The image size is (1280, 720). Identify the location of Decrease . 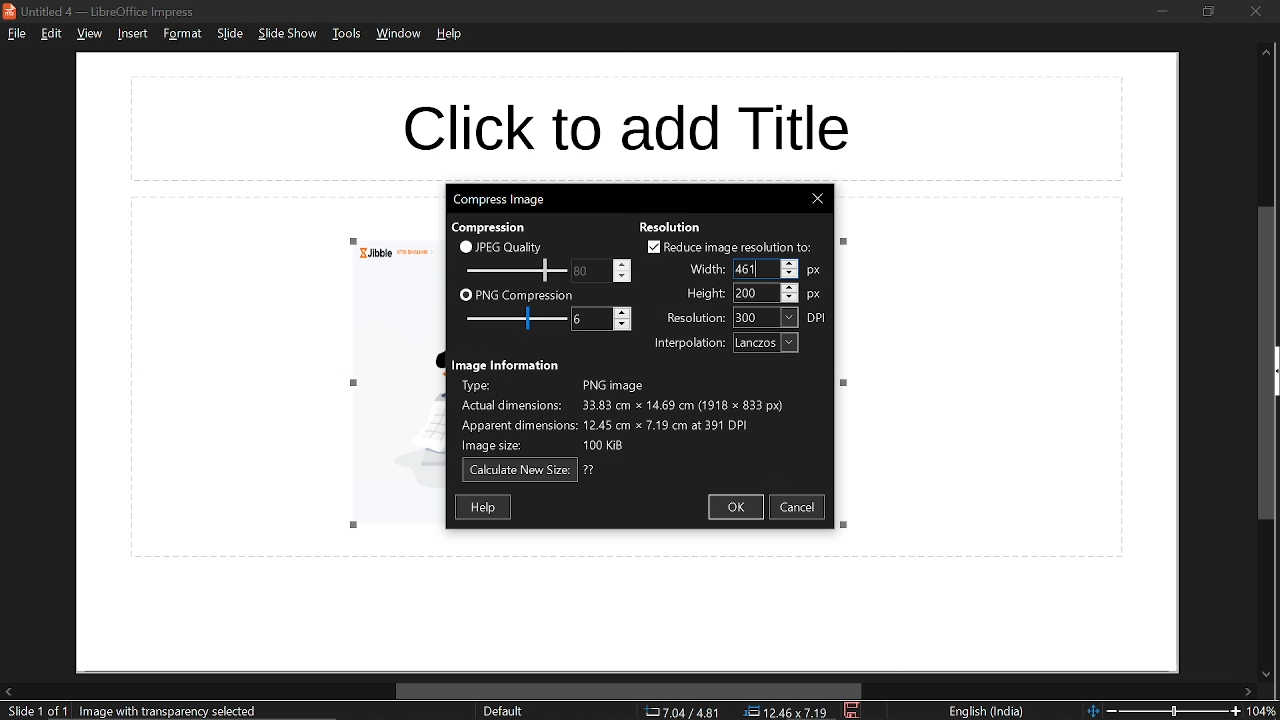
(623, 276).